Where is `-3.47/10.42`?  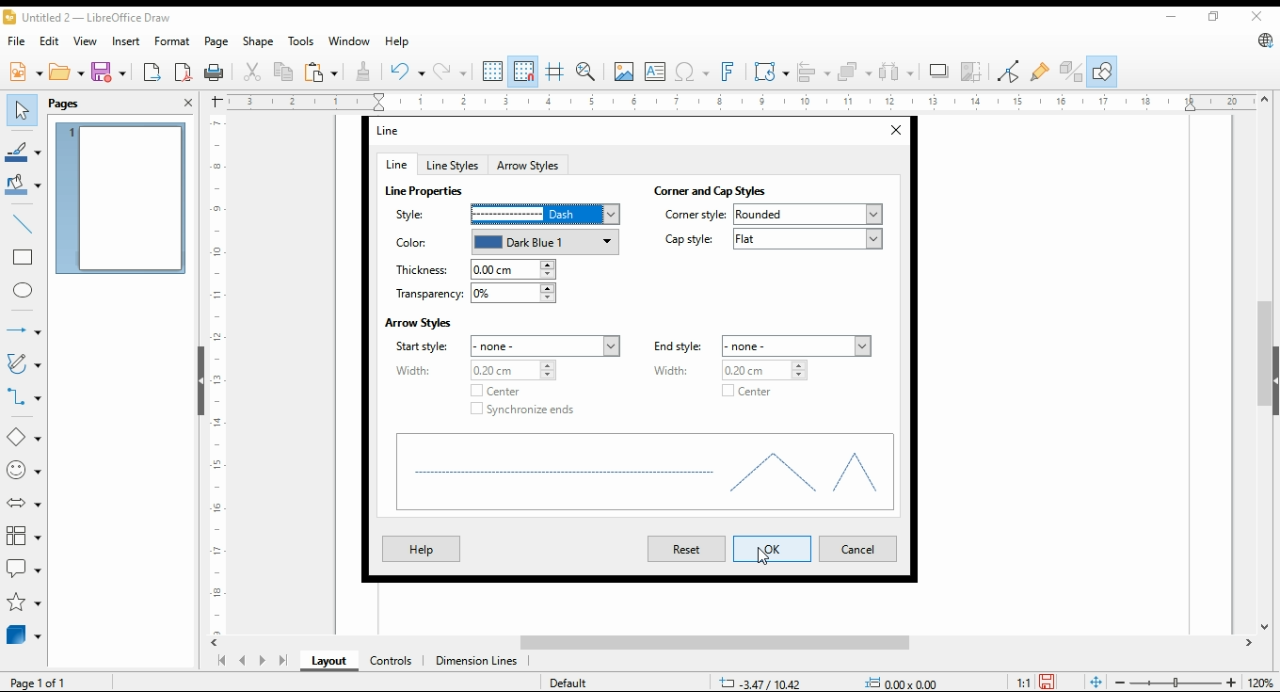 -3.47/10.42 is located at coordinates (760, 683).